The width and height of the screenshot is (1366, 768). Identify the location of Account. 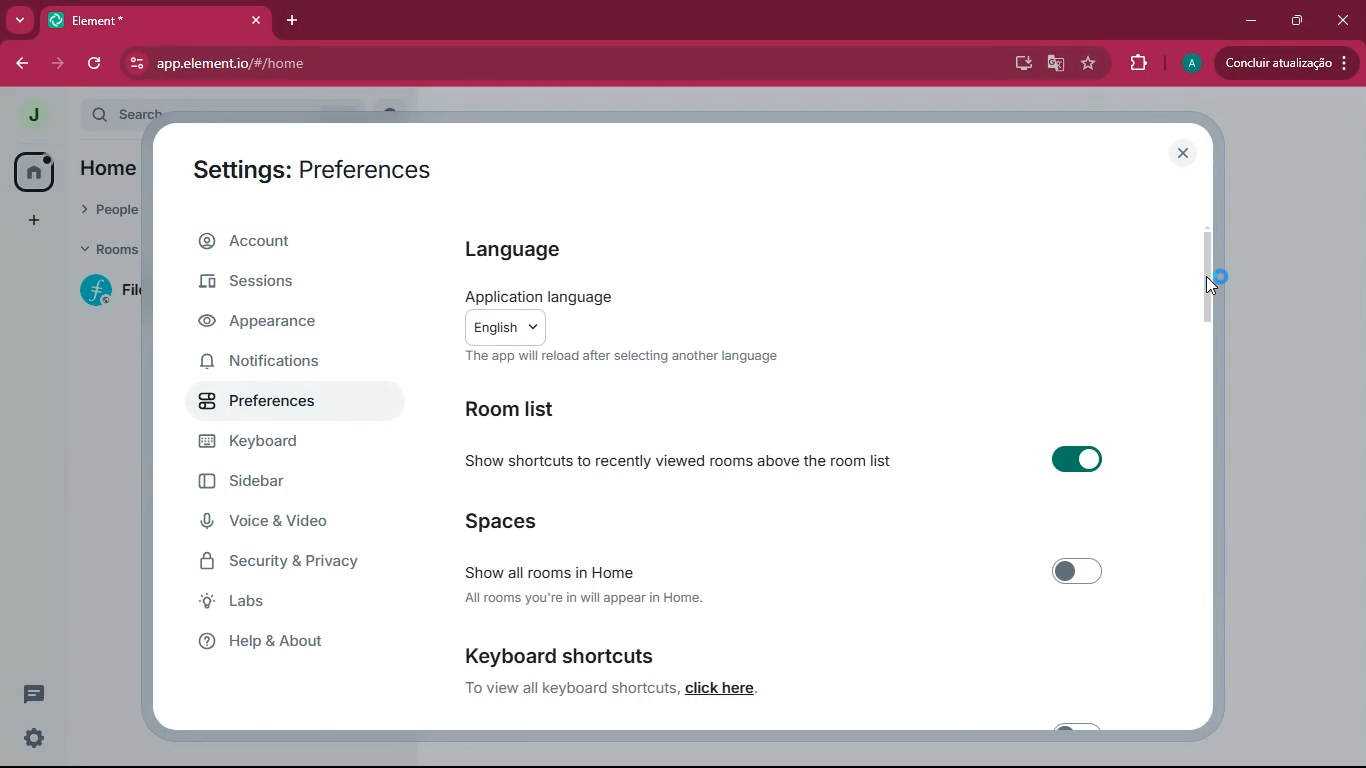
(283, 241).